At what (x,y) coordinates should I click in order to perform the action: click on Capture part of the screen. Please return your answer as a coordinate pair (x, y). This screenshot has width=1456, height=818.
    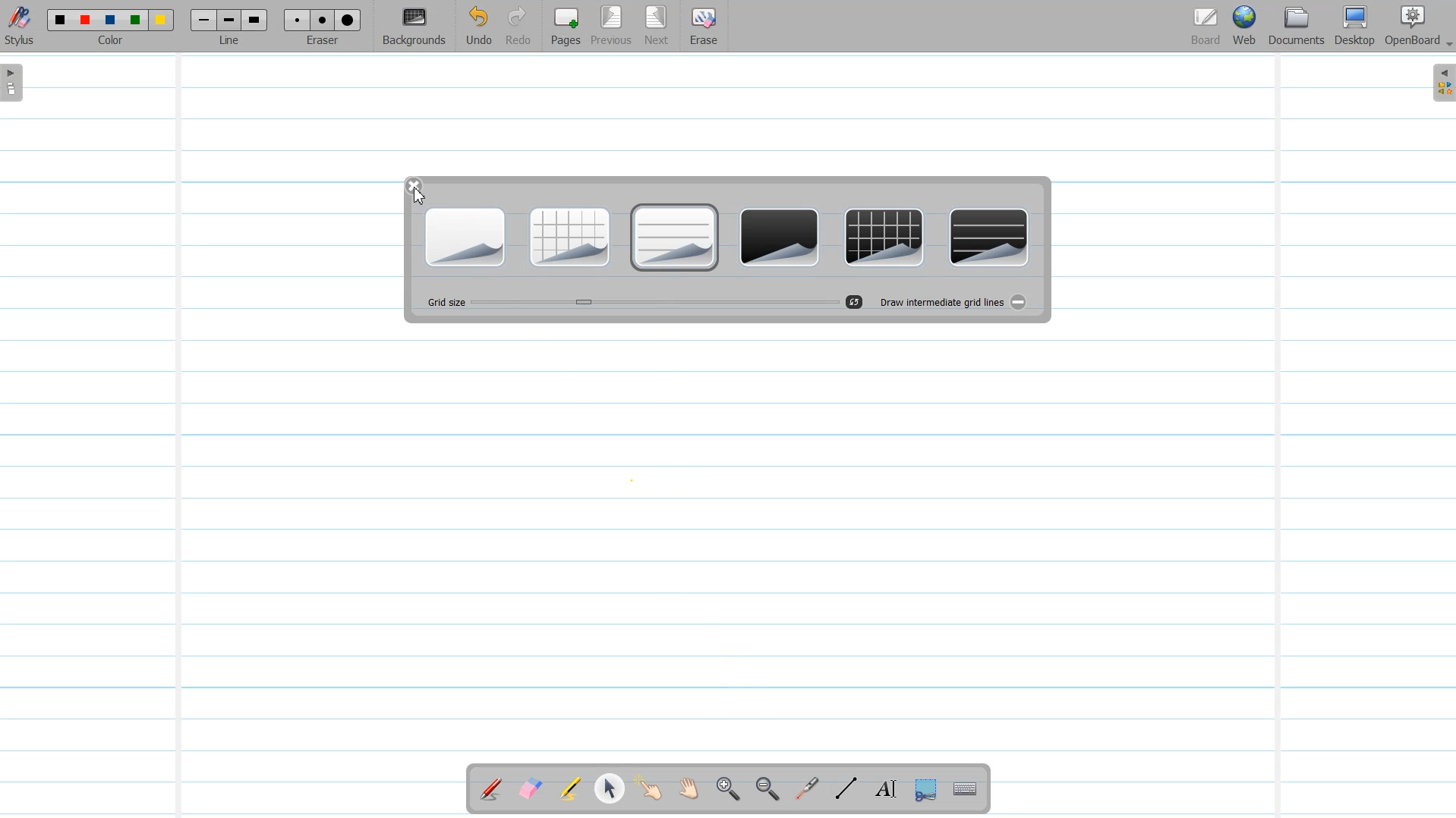
    Looking at the image, I should click on (924, 790).